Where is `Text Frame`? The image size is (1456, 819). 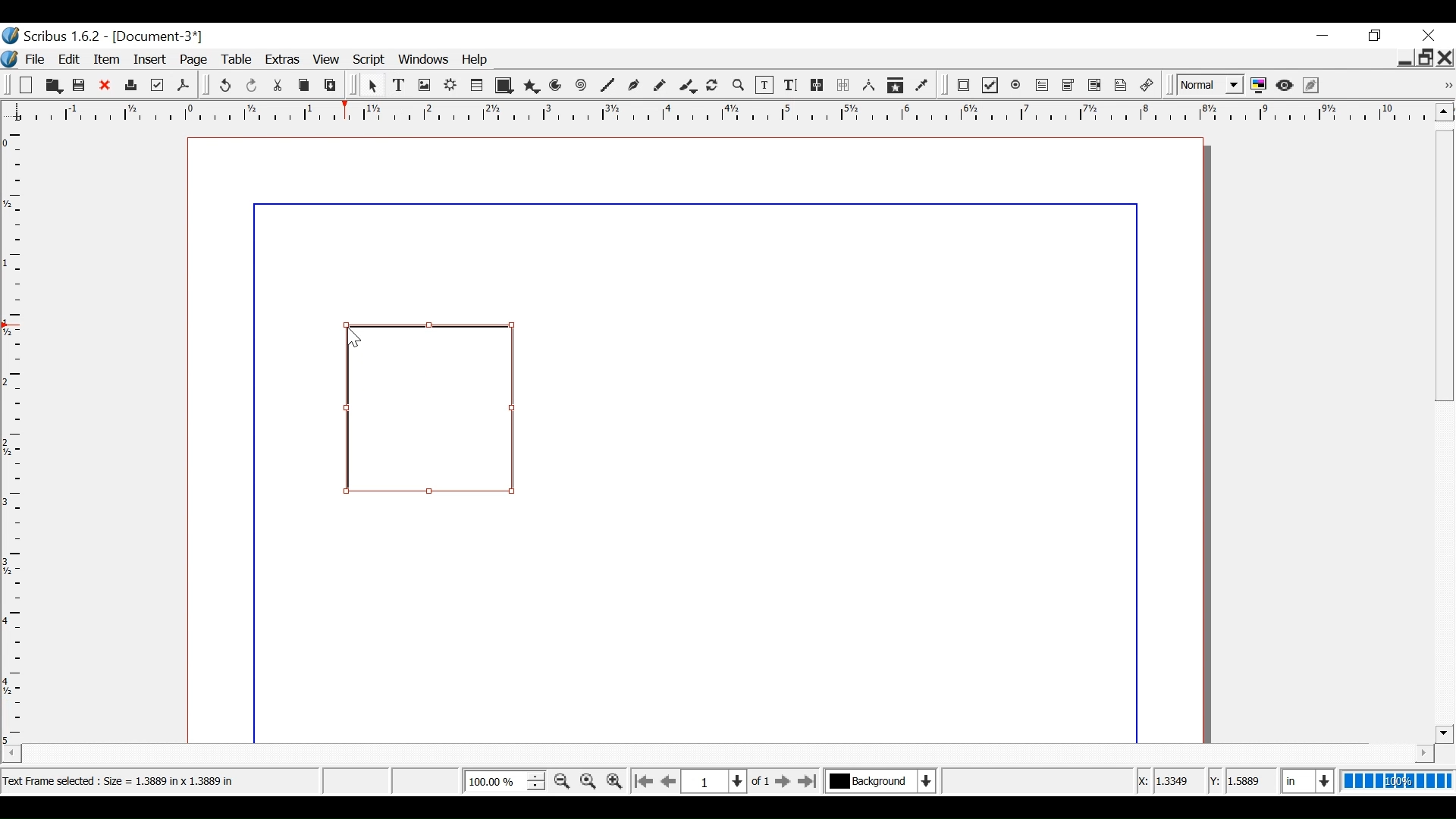 Text Frame is located at coordinates (429, 408).